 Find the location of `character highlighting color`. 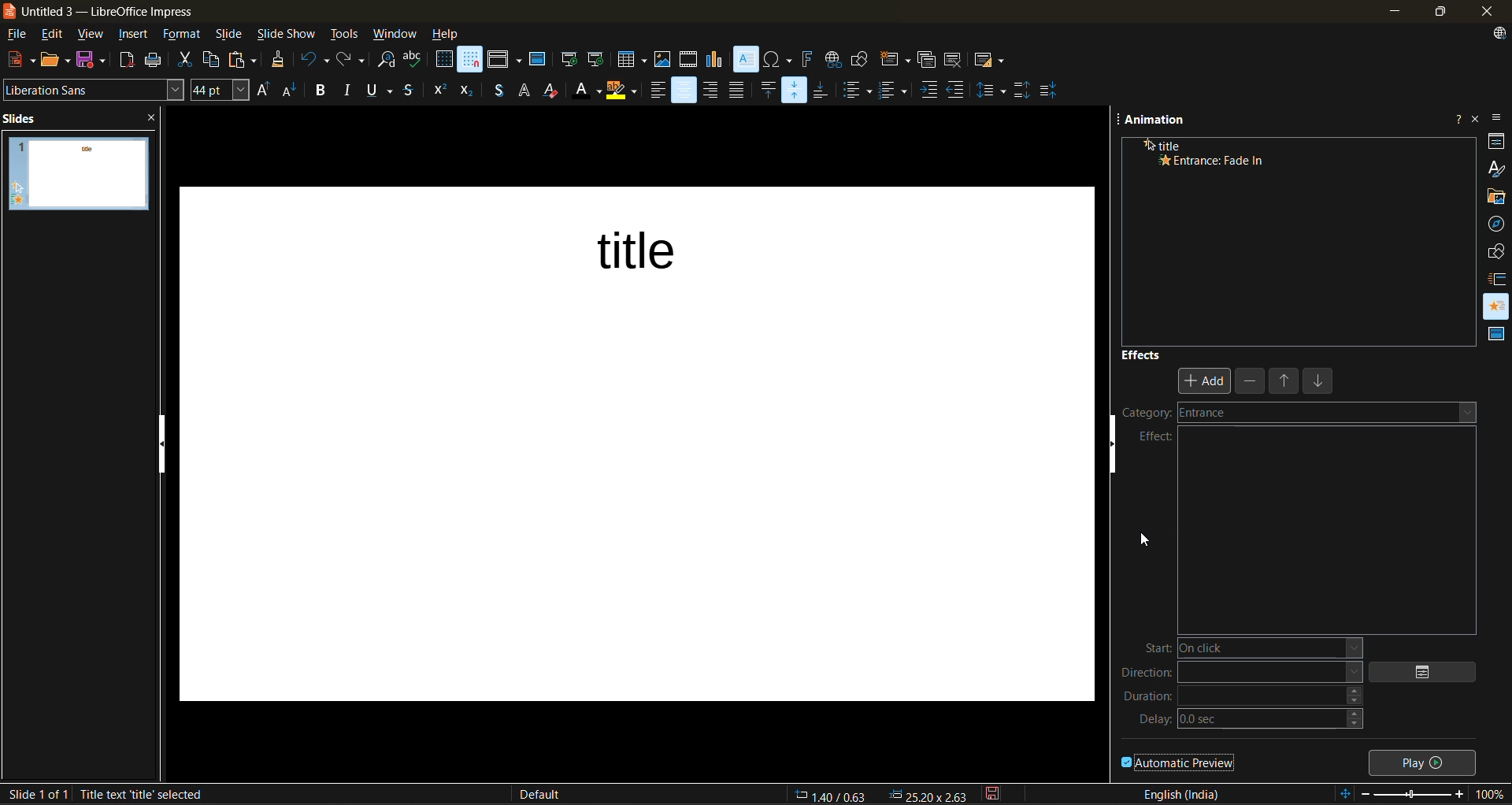

character highlighting color is located at coordinates (623, 91).